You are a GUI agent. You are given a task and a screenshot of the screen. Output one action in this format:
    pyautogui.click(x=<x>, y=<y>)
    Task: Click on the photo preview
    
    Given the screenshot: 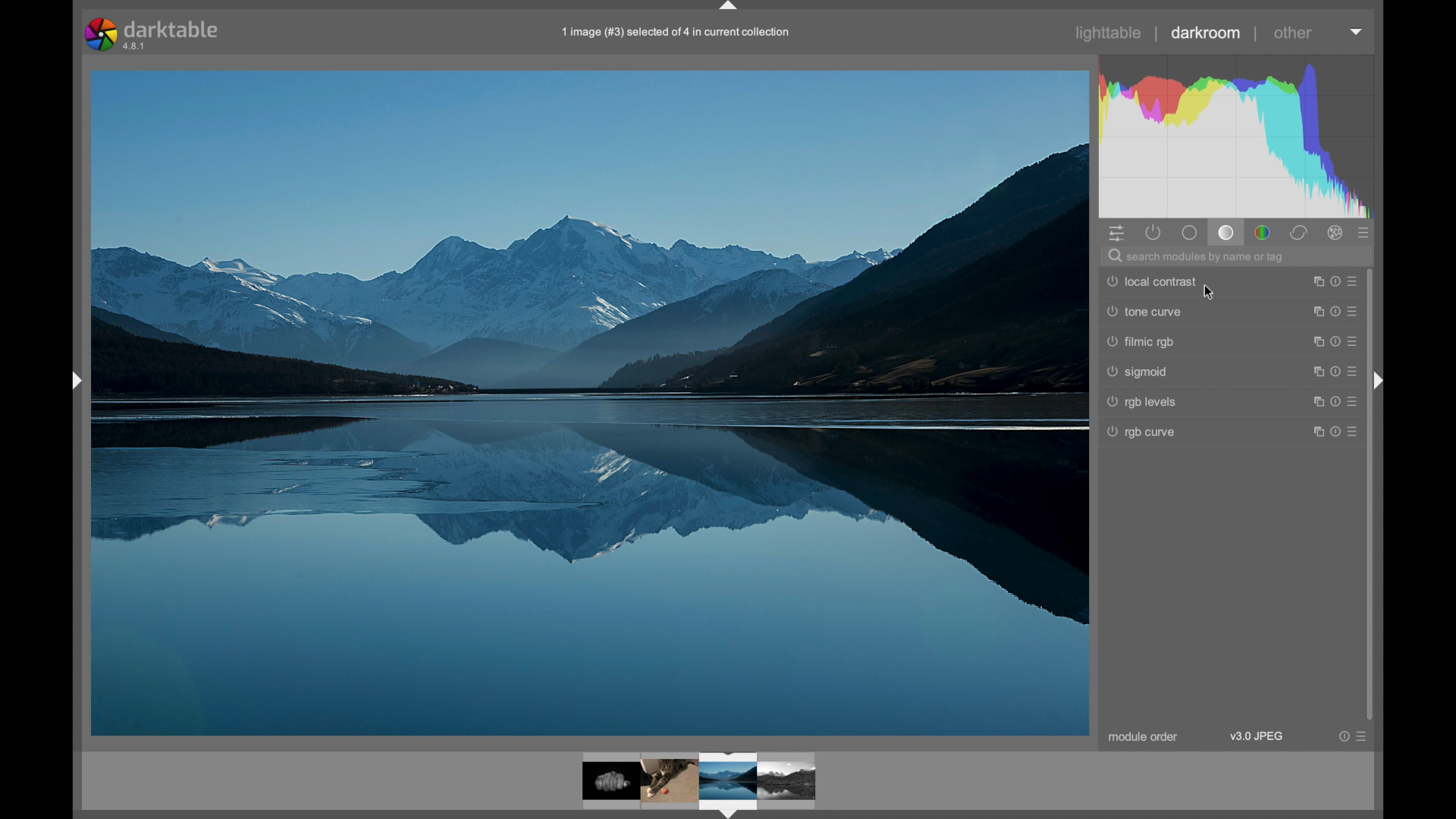 What is the action you would take?
    pyautogui.click(x=700, y=783)
    